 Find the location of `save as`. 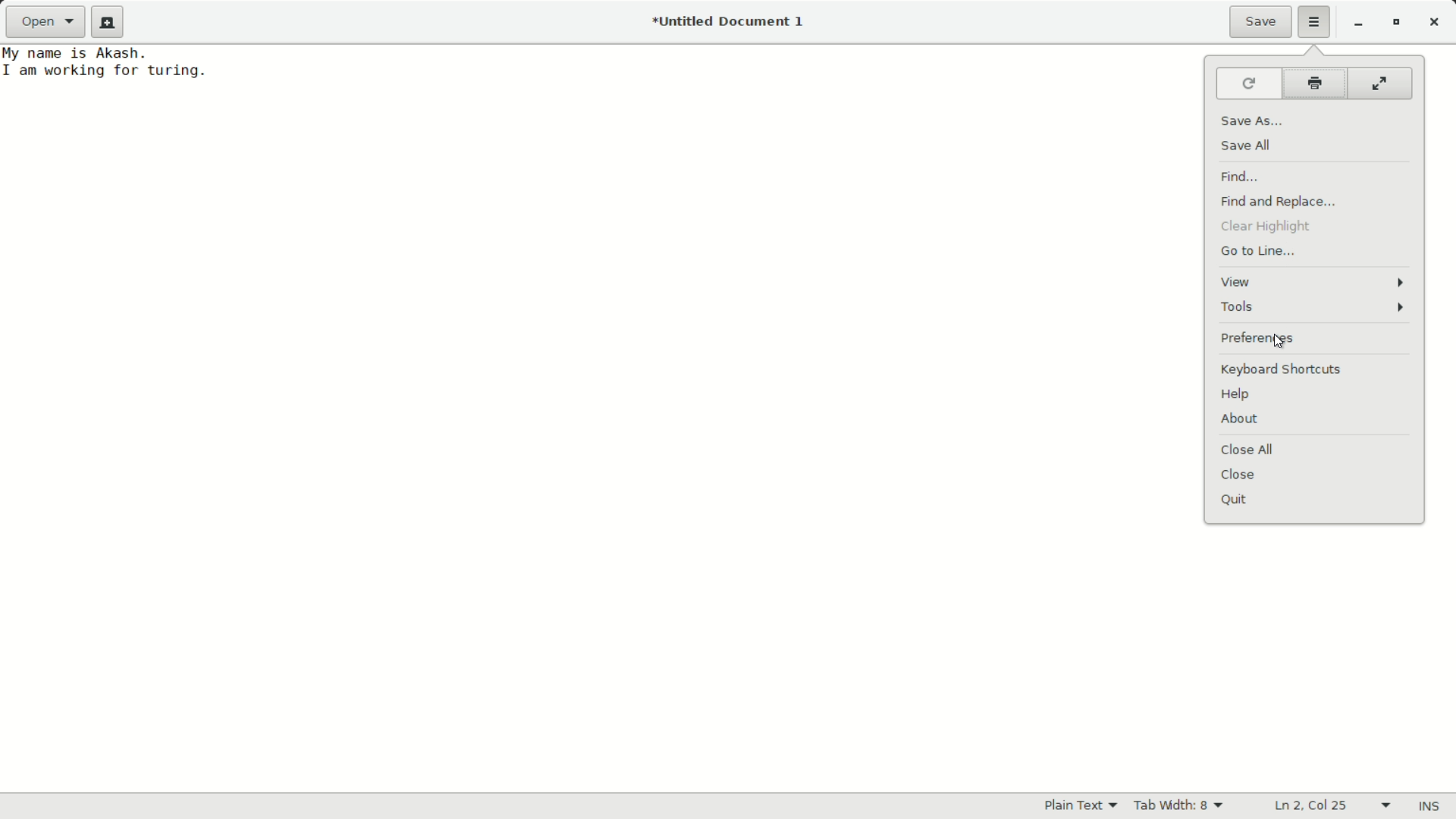

save as is located at coordinates (1260, 118).